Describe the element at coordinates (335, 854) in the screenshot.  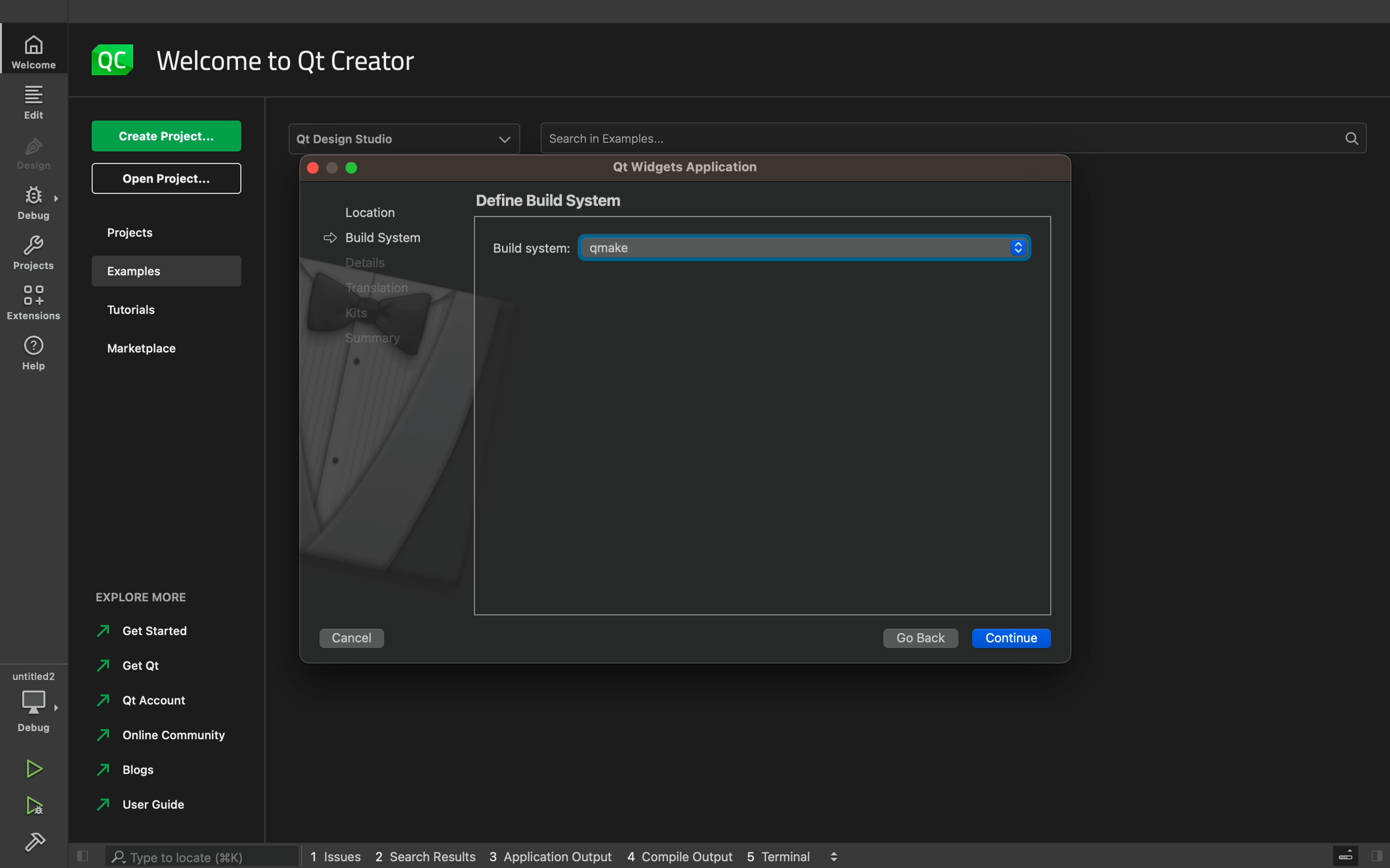
I see `1 issues` at that location.